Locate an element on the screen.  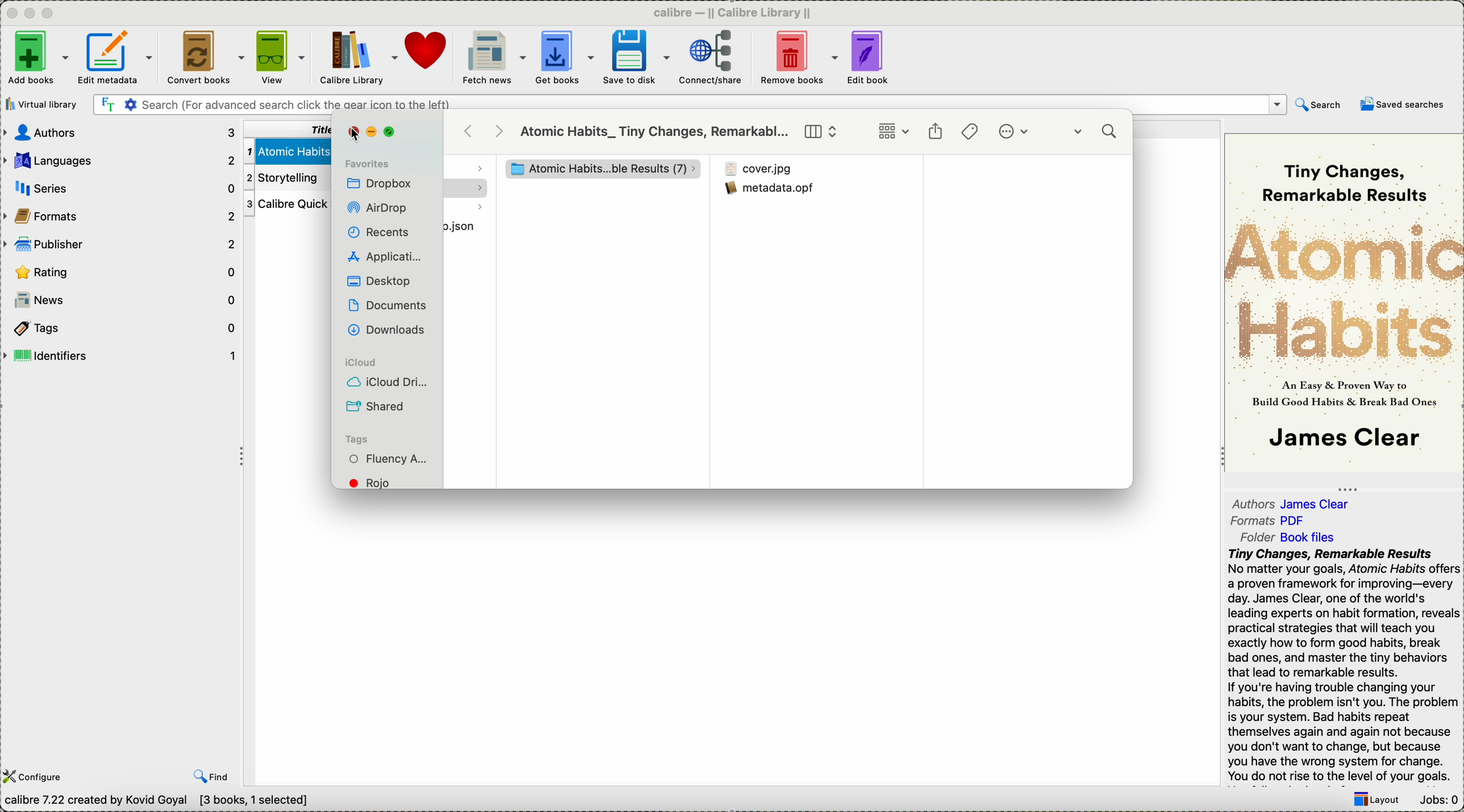
tags is located at coordinates (971, 131).